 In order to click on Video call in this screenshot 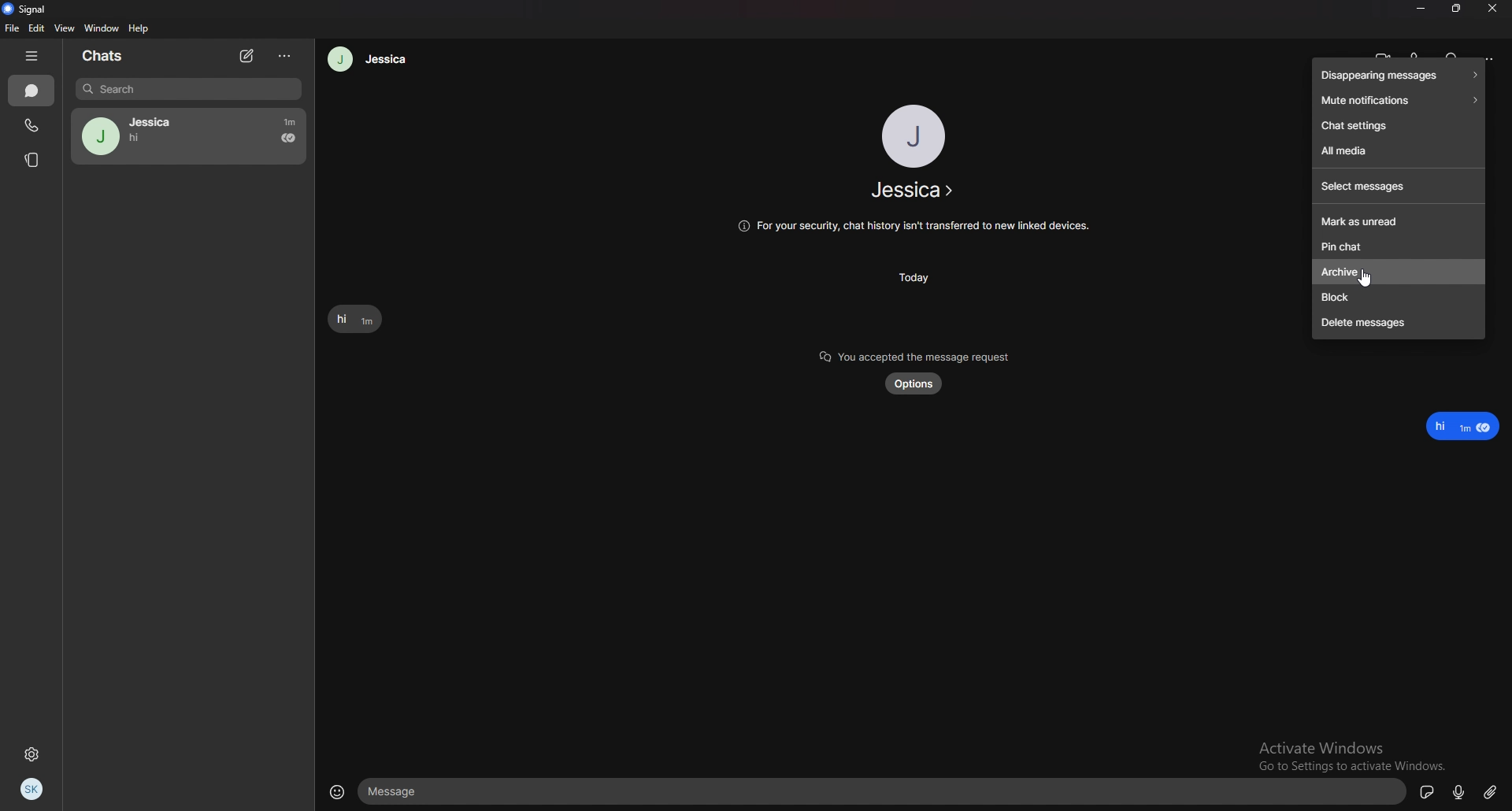, I will do `click(1385, 53)`.